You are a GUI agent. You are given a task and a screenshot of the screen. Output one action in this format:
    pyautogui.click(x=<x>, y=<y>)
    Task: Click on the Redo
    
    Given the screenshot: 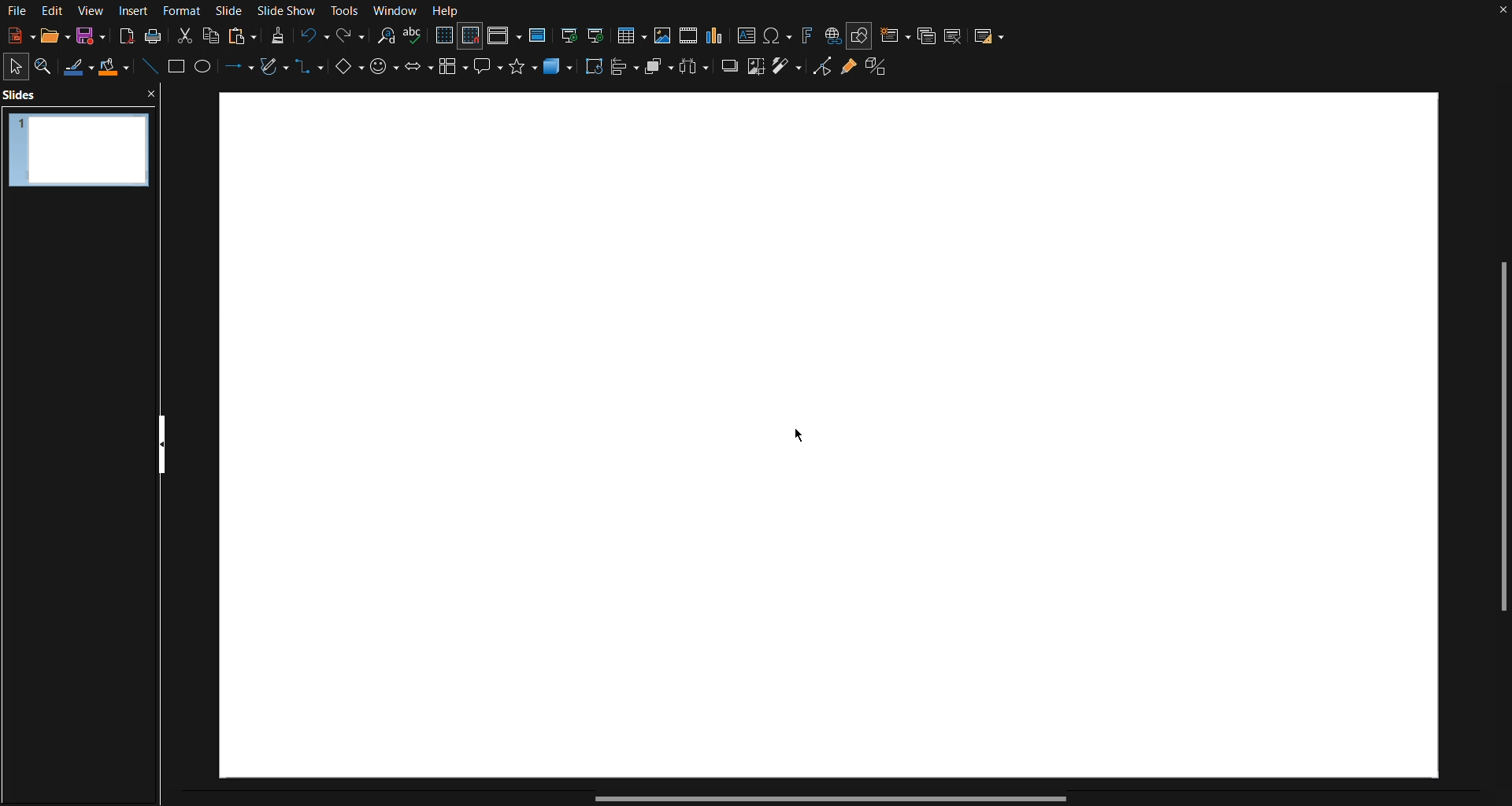 What is the action you would take?
    pyautogui.click(x=349, y=36)
    